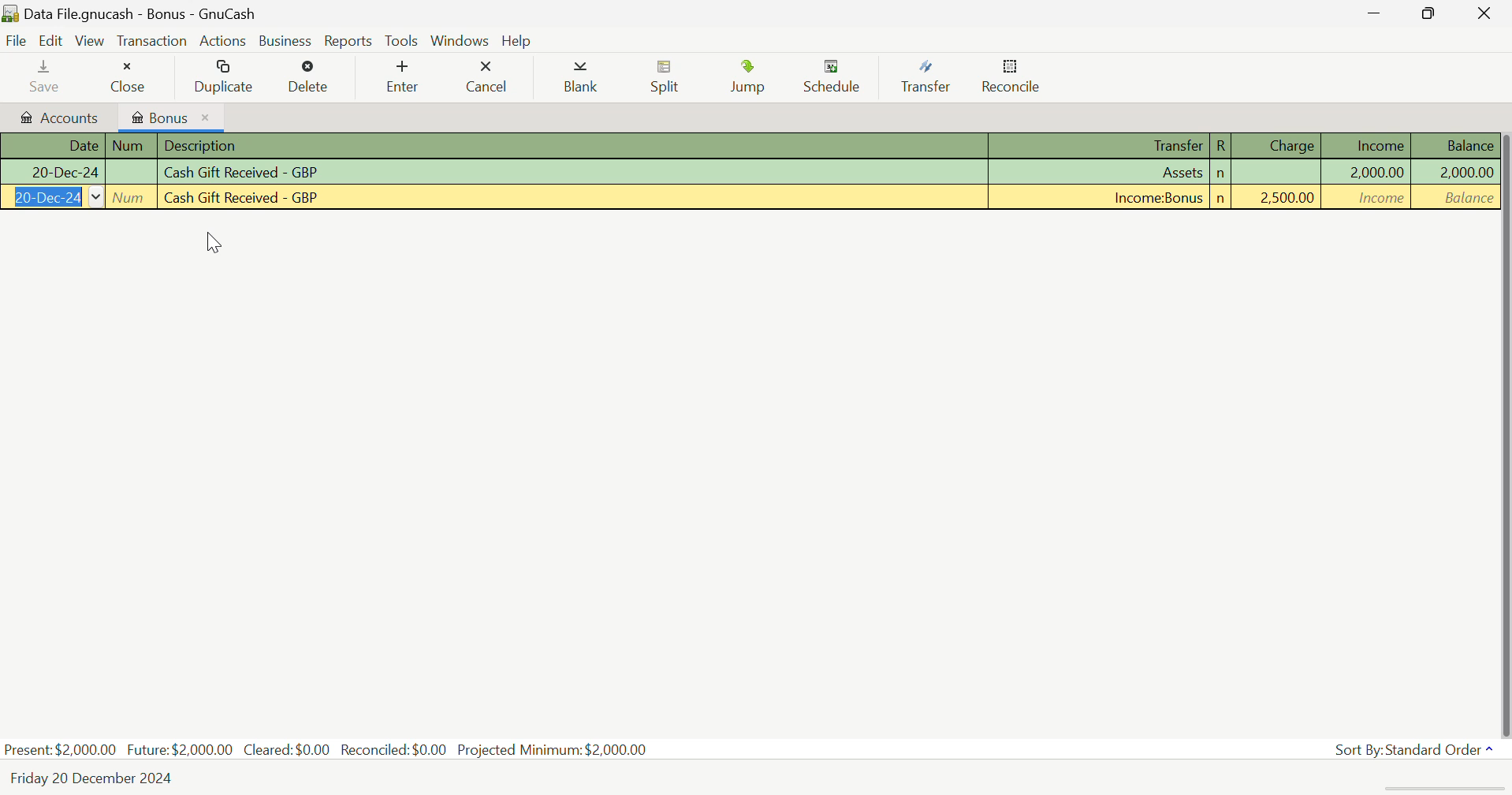  Describe the element at coordinates (132, 198) in the screenshot. I see `Num` at that location.